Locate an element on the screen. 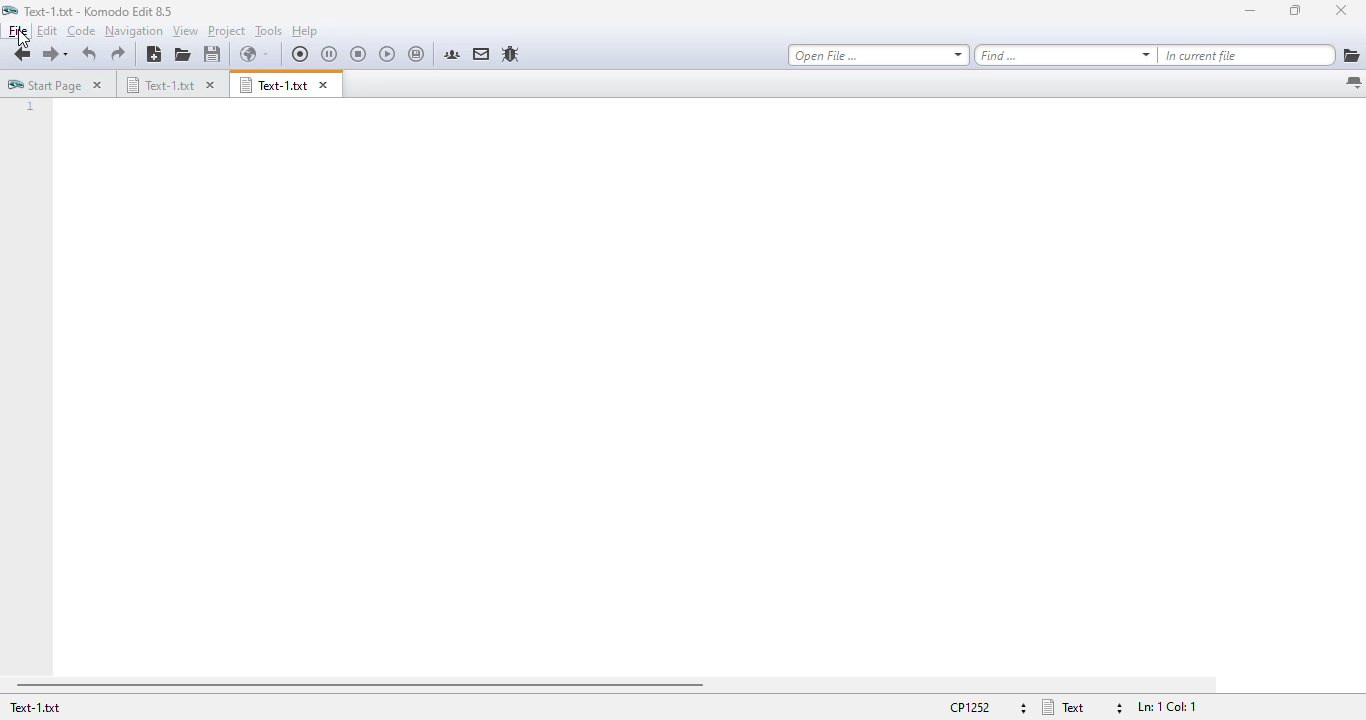 This screenshot has width=1366, height=720. close tab is located at coordinates (97, 84).